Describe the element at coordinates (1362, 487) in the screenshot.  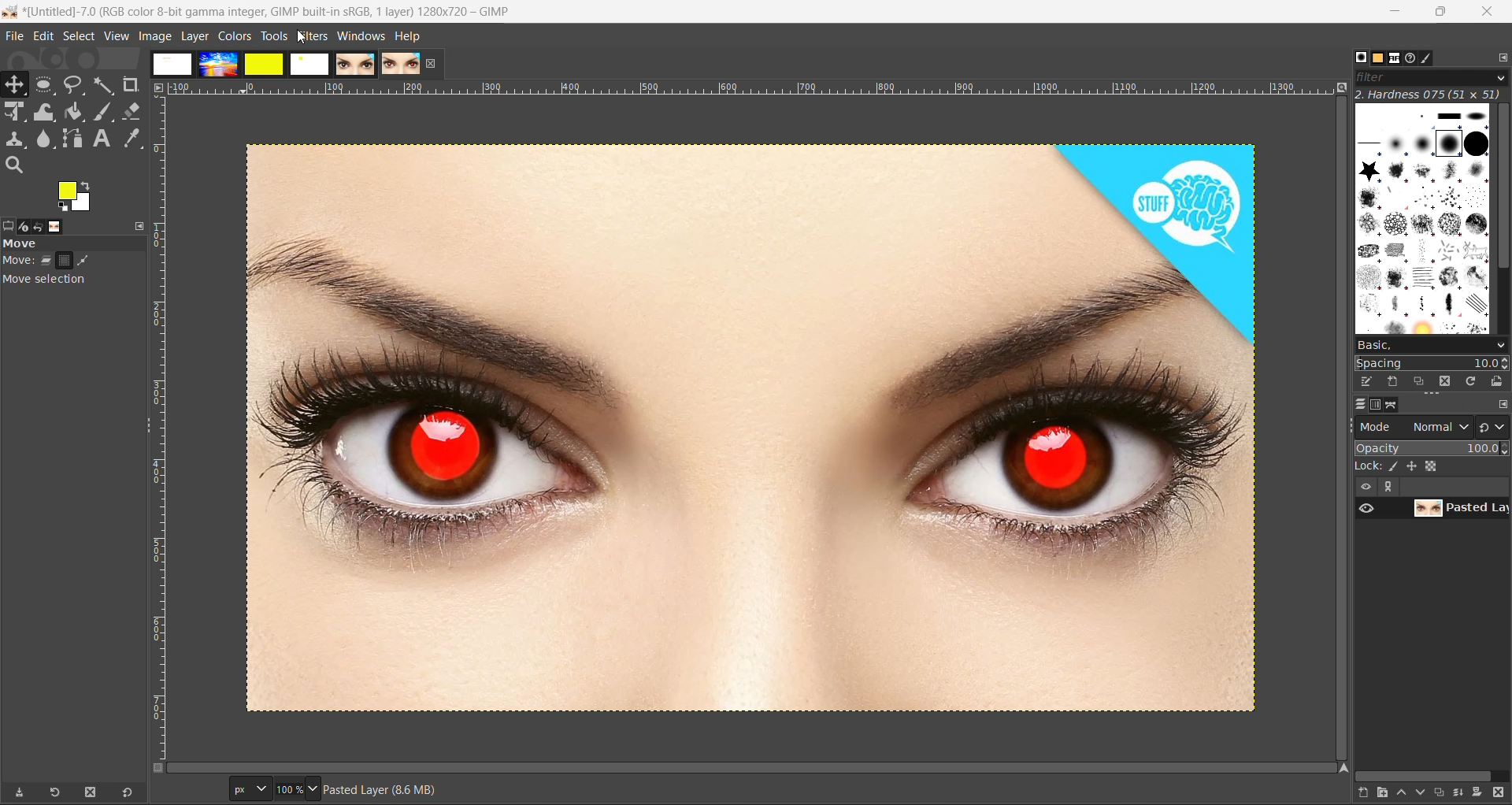
I see `view` at that location.